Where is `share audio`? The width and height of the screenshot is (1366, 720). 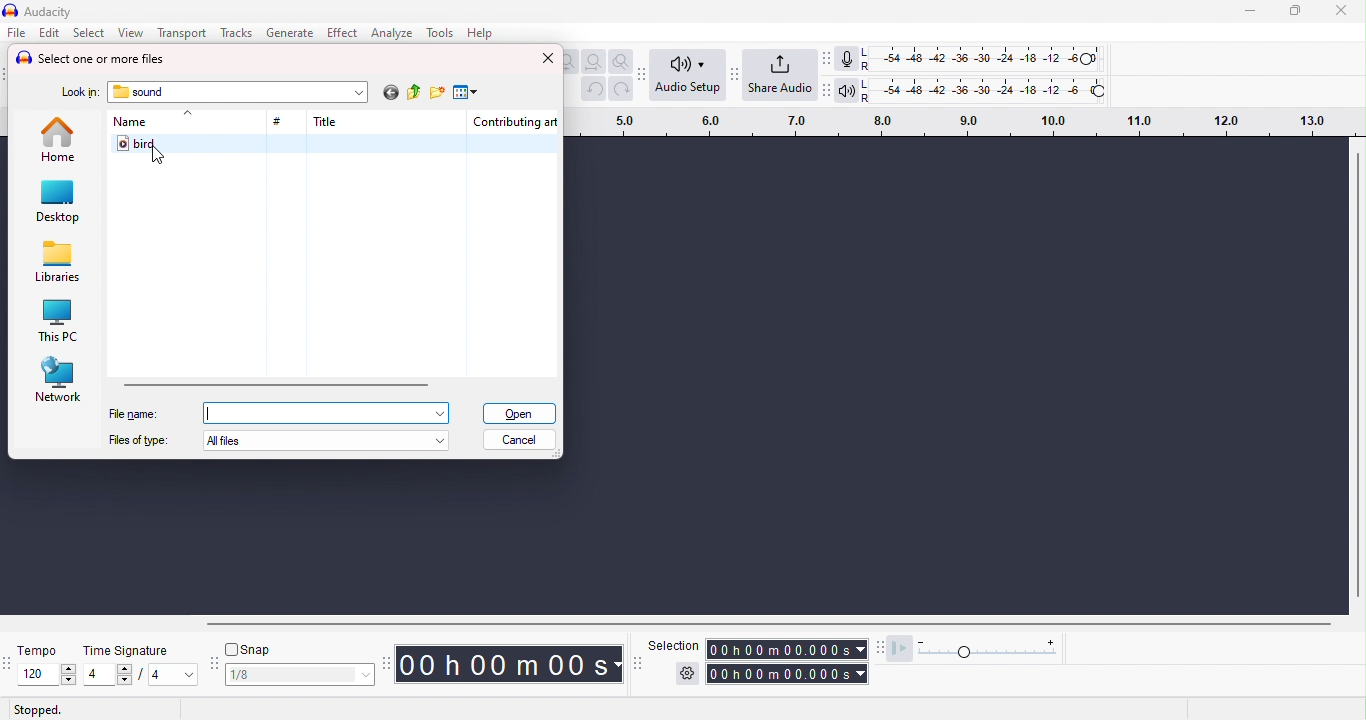
share audio is located at coordinates (780, 75).